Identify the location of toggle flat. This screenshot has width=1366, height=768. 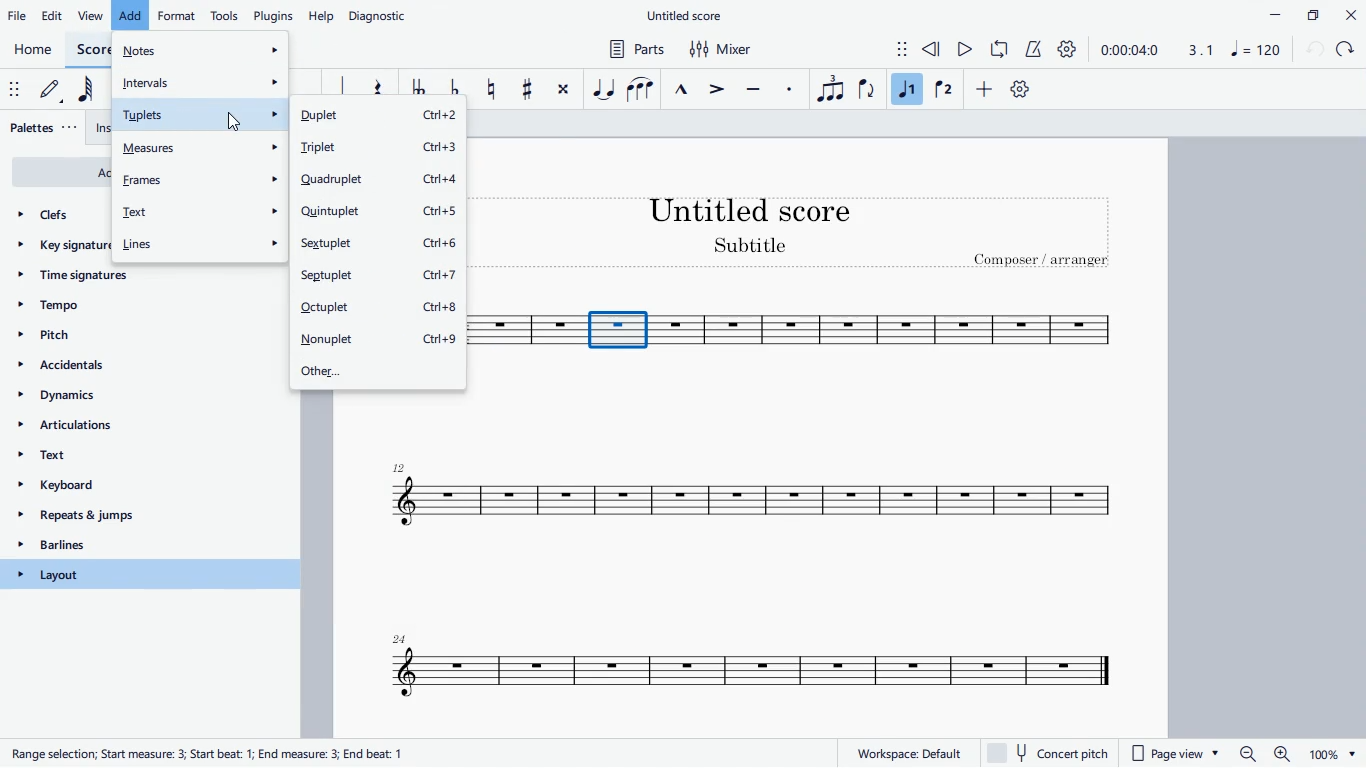
(455, 91).